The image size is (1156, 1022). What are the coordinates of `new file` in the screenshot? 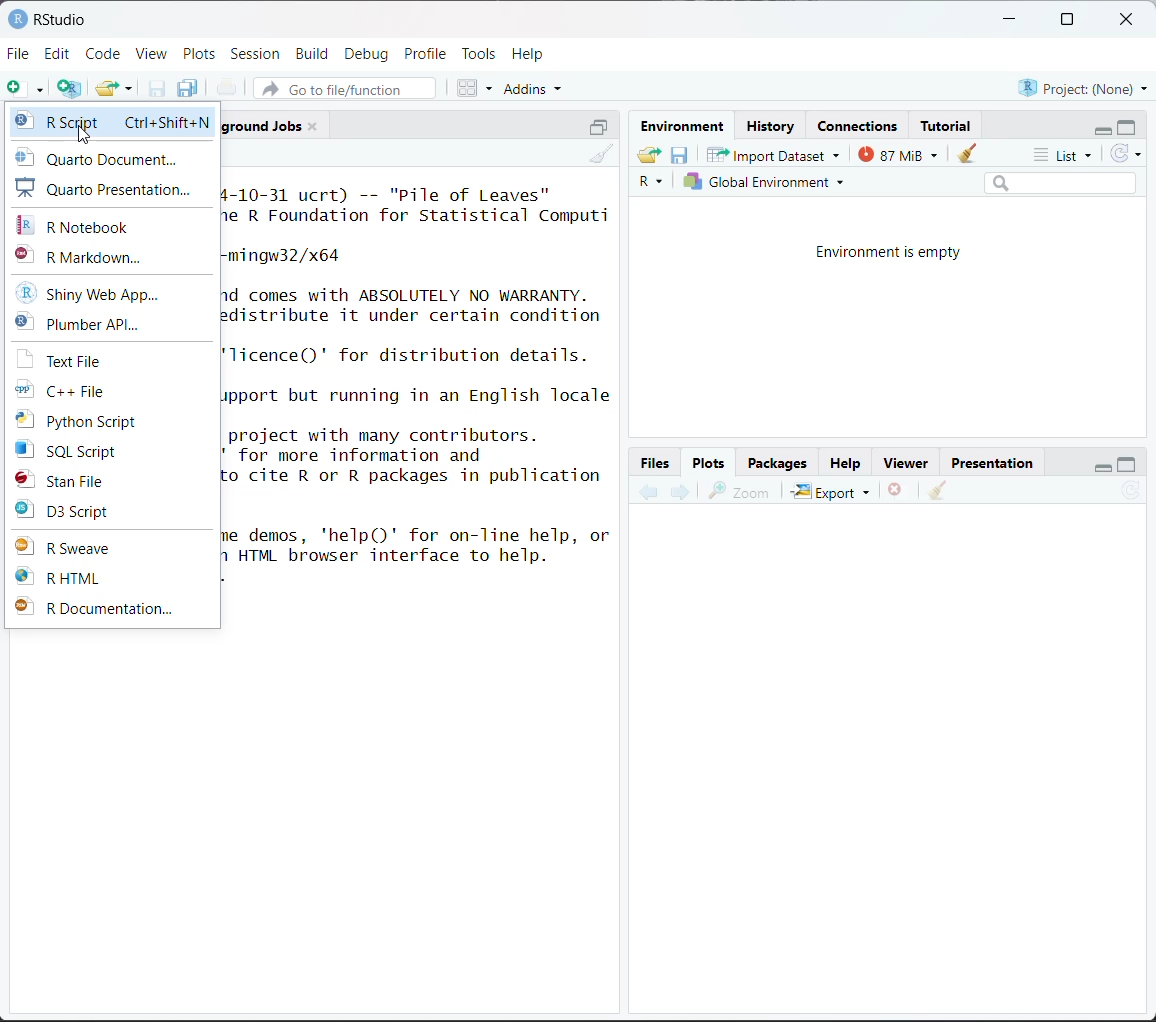 It's located at (25, 88).